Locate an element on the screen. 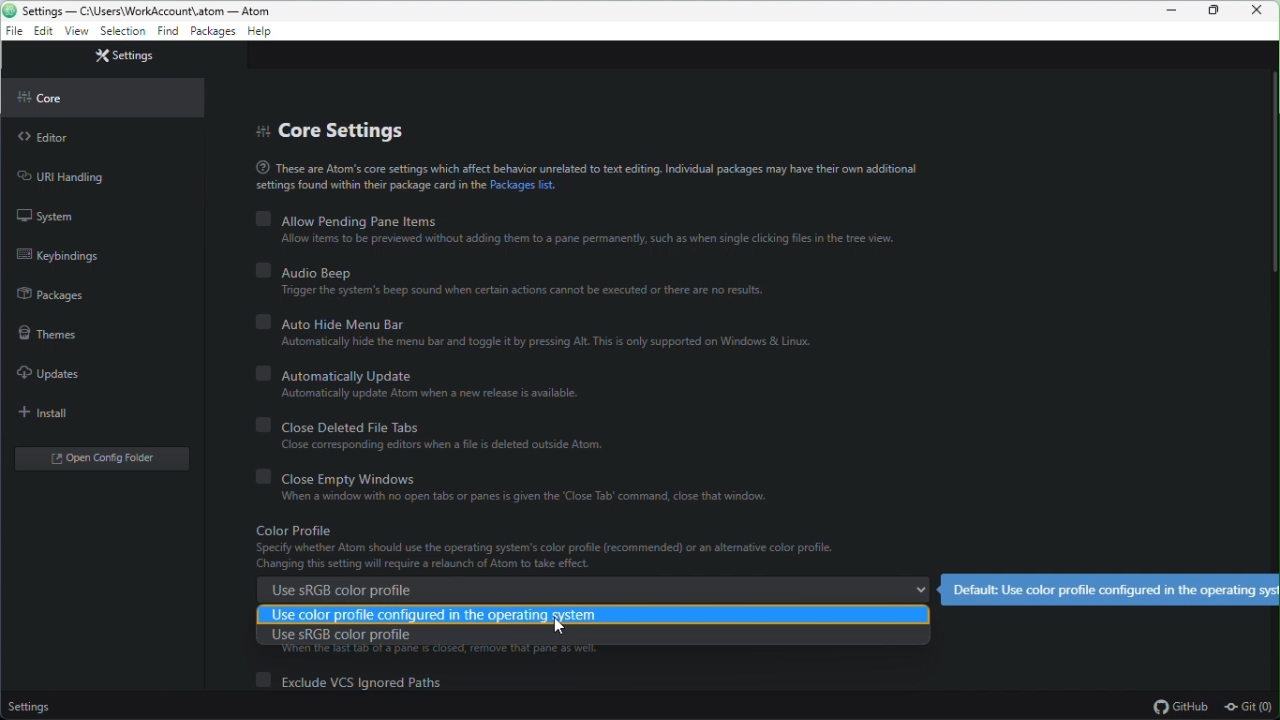  Themes is located at coordinates (45, 332).